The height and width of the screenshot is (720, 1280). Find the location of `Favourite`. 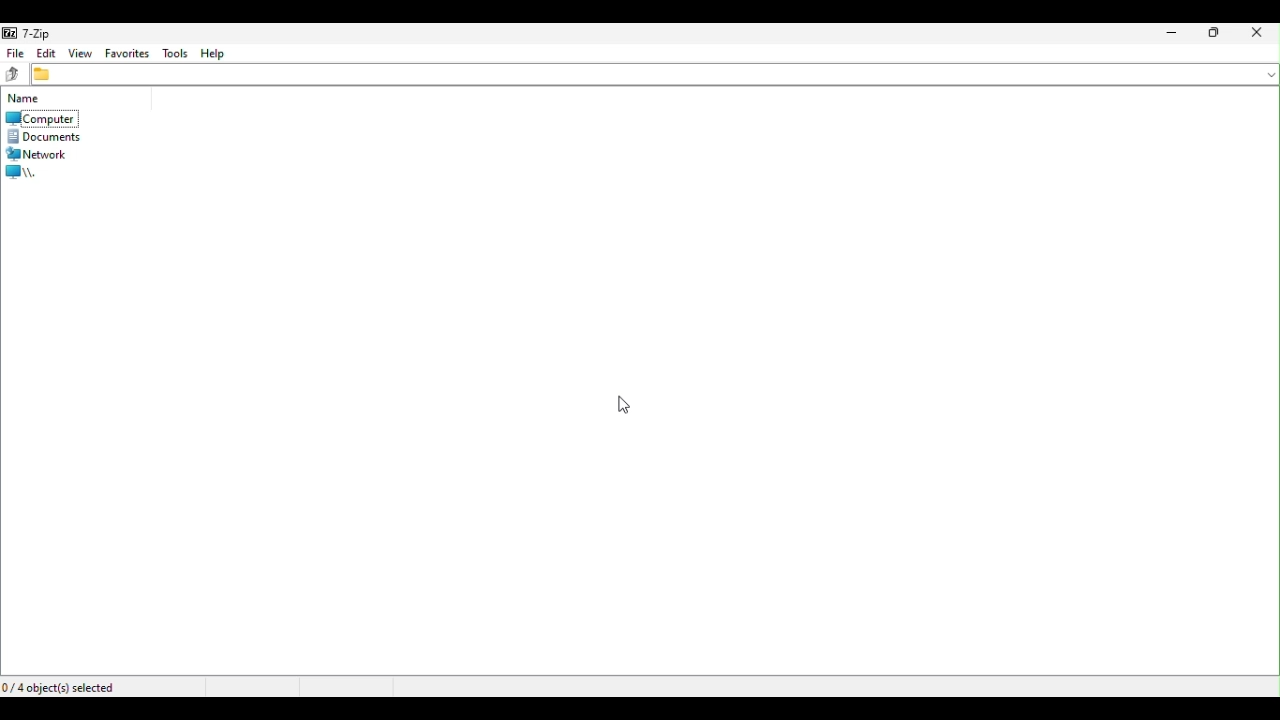

Favourite is located at coordinates (125, 54).